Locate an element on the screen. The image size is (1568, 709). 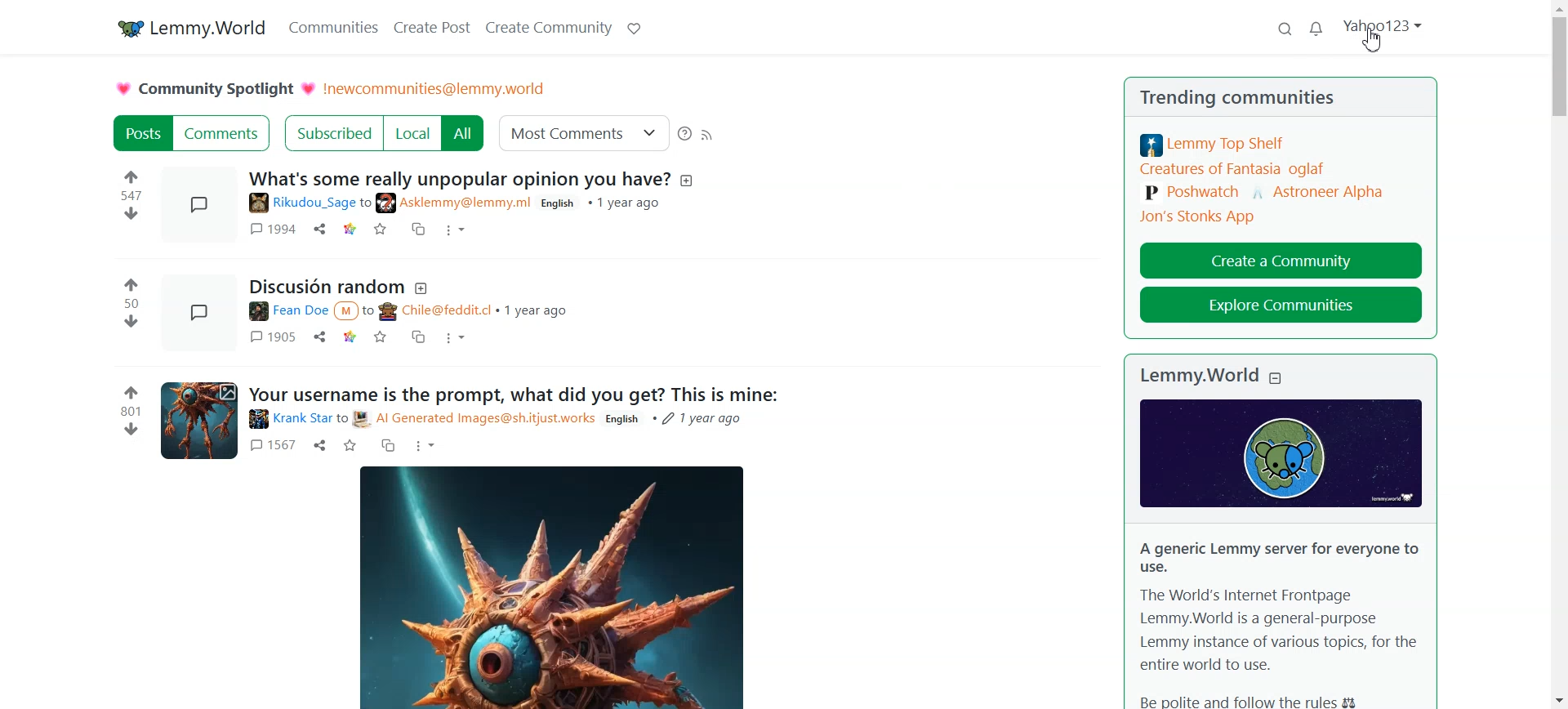
Create Post is located at coordinates (434, 26).